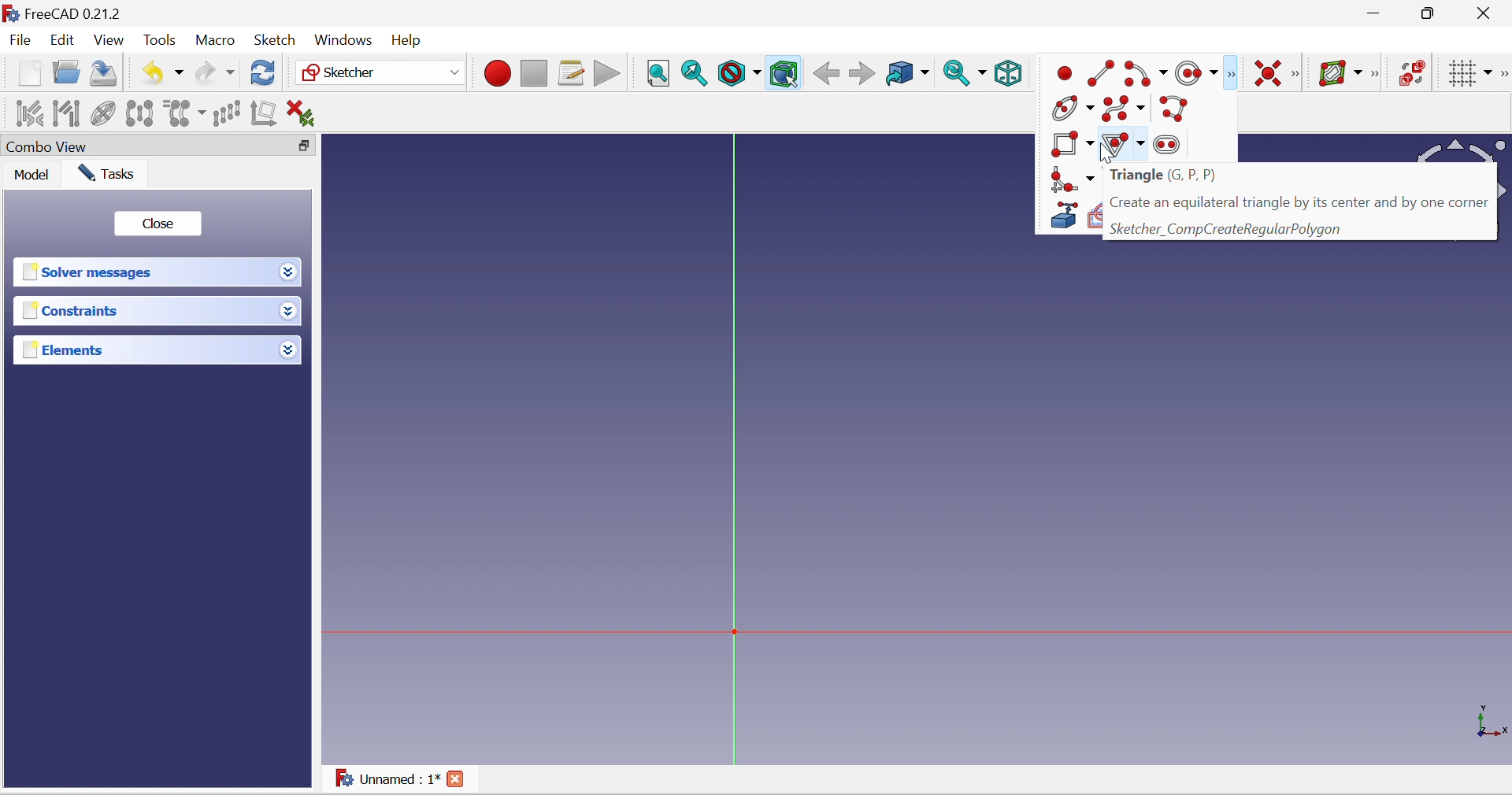 This screenshot has height=795, width=1512. I want to click on Create slot (G,S), so click(1169, 146).